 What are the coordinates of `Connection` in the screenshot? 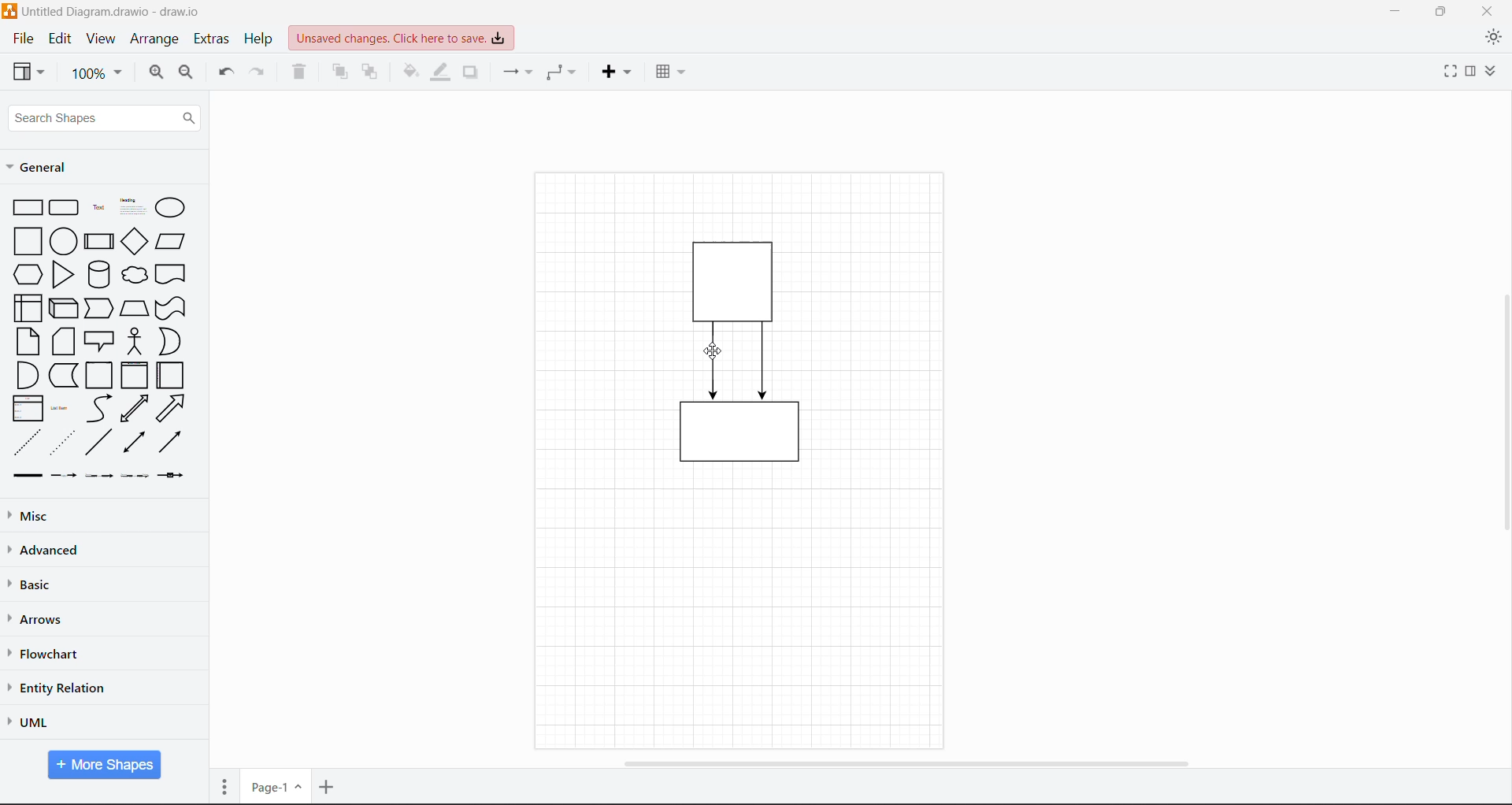 It's located at (516, 72).